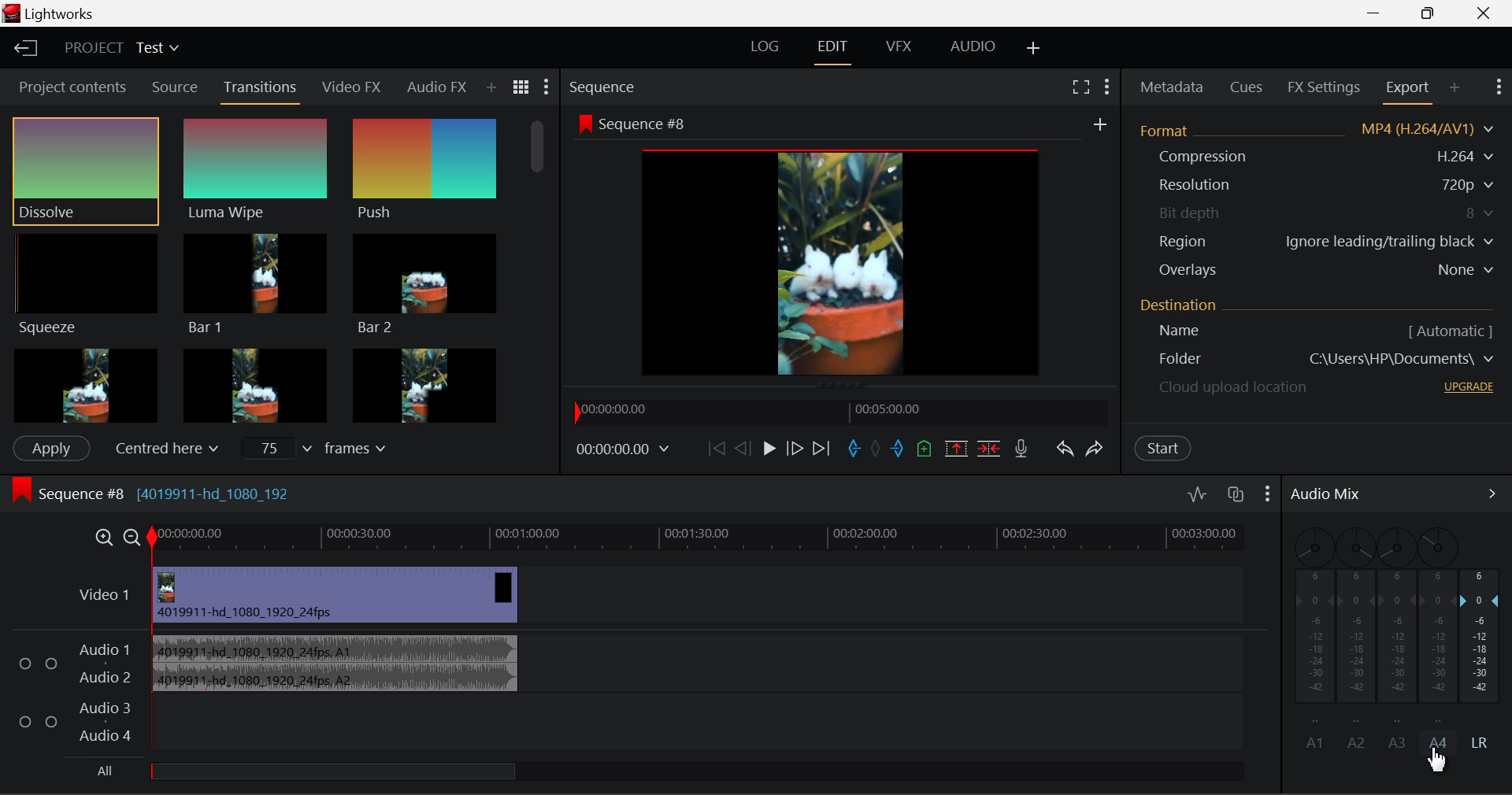  I want to click on Centered here, so click(162, 448).